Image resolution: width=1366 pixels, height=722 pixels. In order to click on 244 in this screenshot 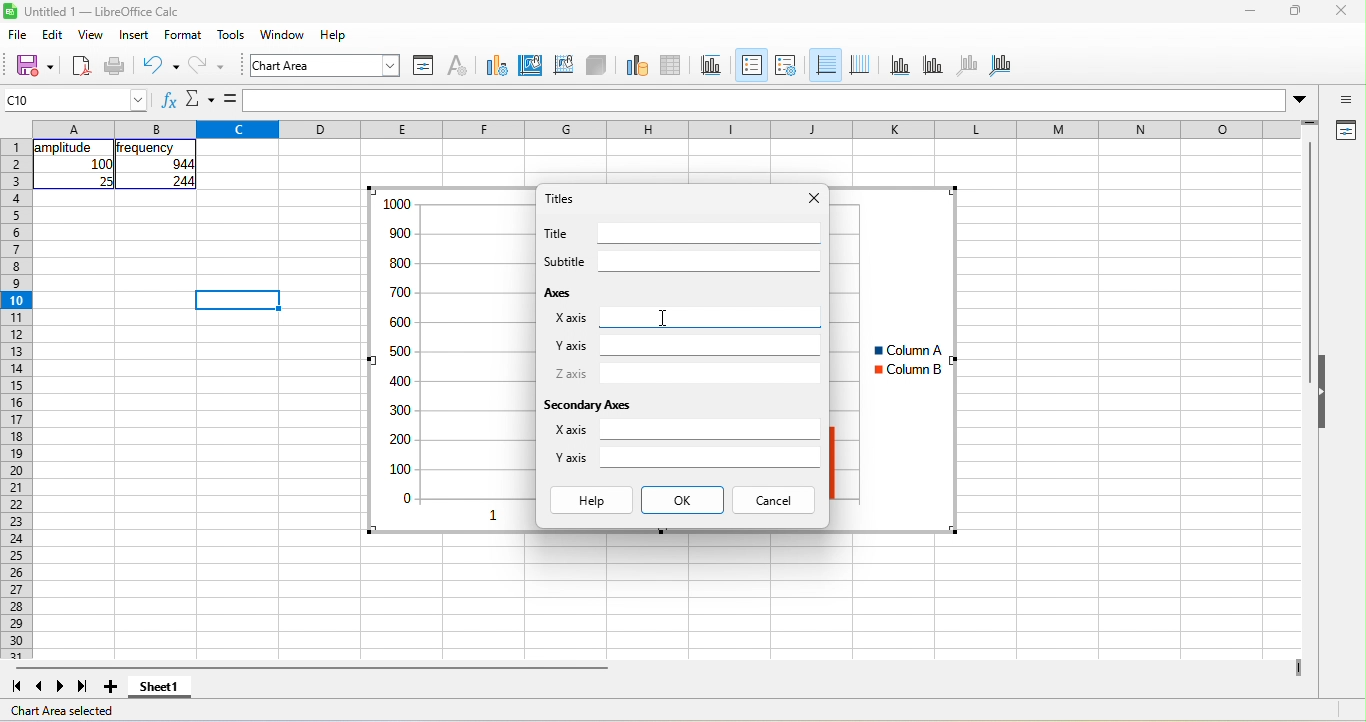, I will do `click(183, 181)`.